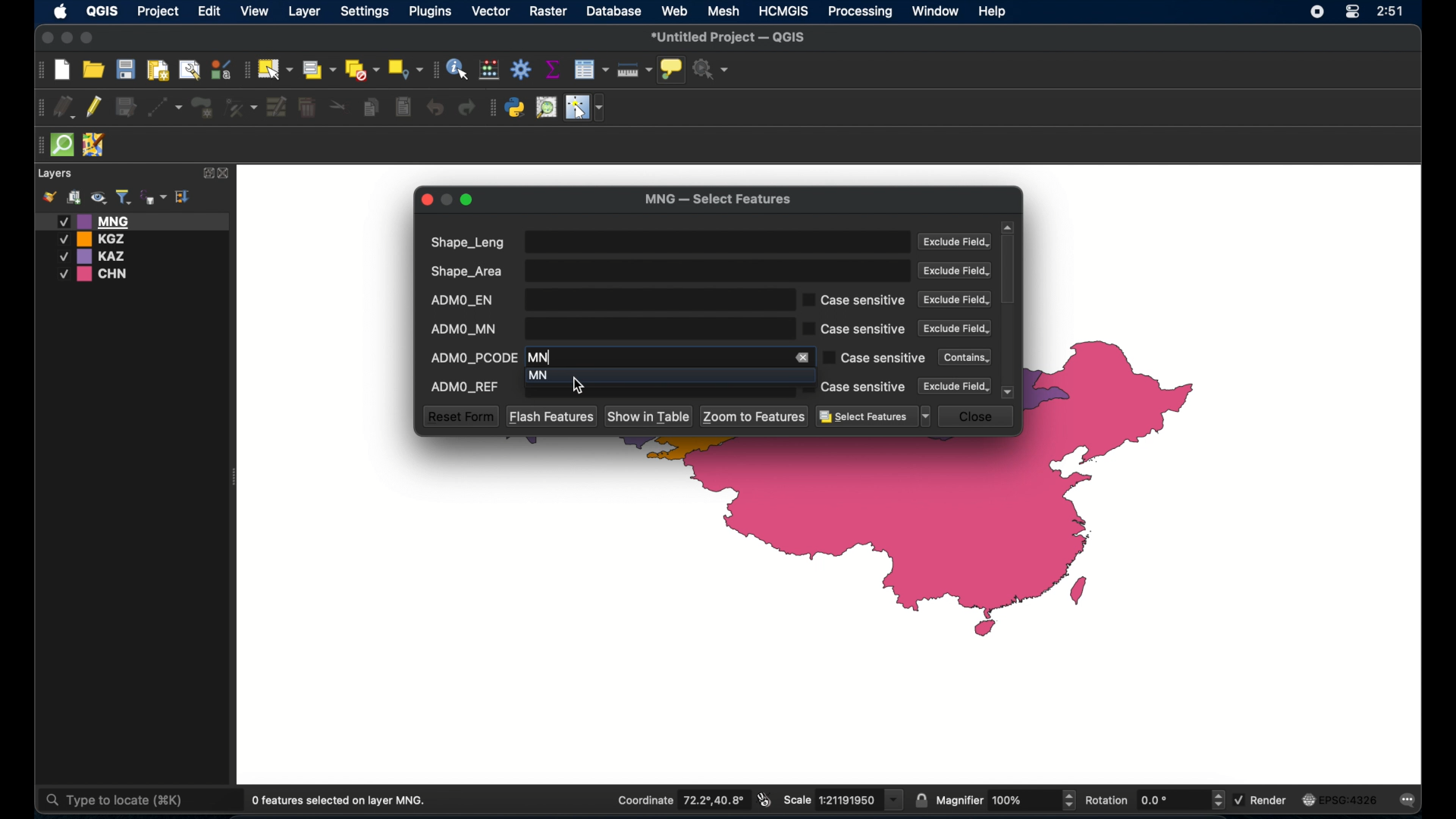  Describe the element at coordinates (427, 199) in the screenshot. I see `close` at that location.